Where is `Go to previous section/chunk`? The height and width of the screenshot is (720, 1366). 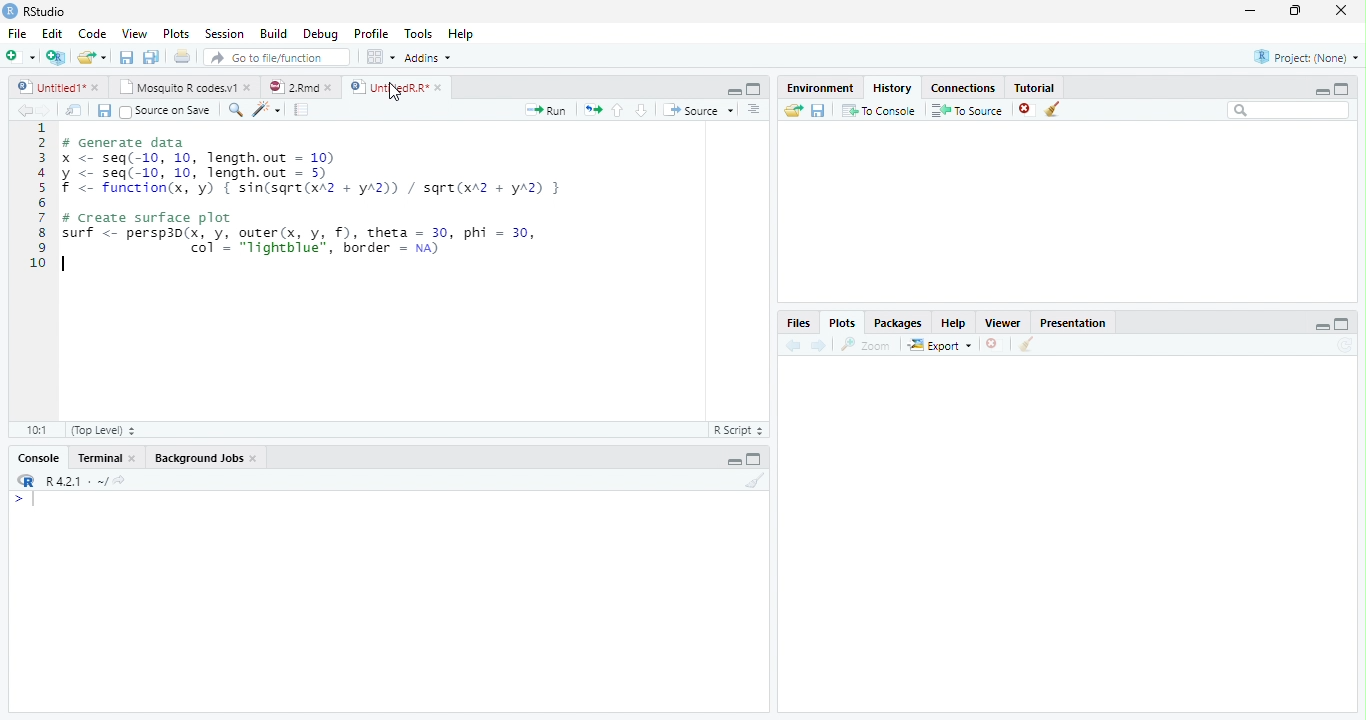
Go to previous section/chunk is located at coordinates (617, 110).